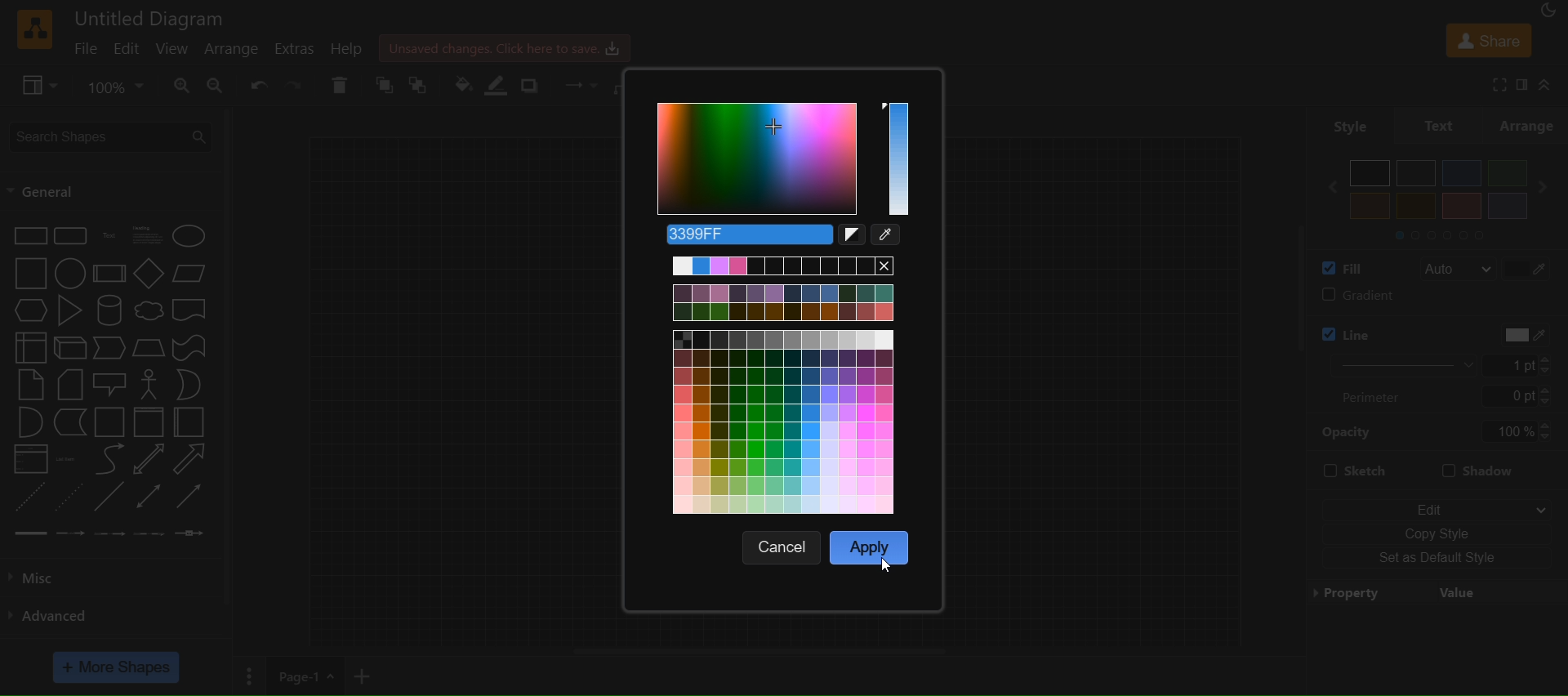  I want to click on scroll, so click(1285, 308).